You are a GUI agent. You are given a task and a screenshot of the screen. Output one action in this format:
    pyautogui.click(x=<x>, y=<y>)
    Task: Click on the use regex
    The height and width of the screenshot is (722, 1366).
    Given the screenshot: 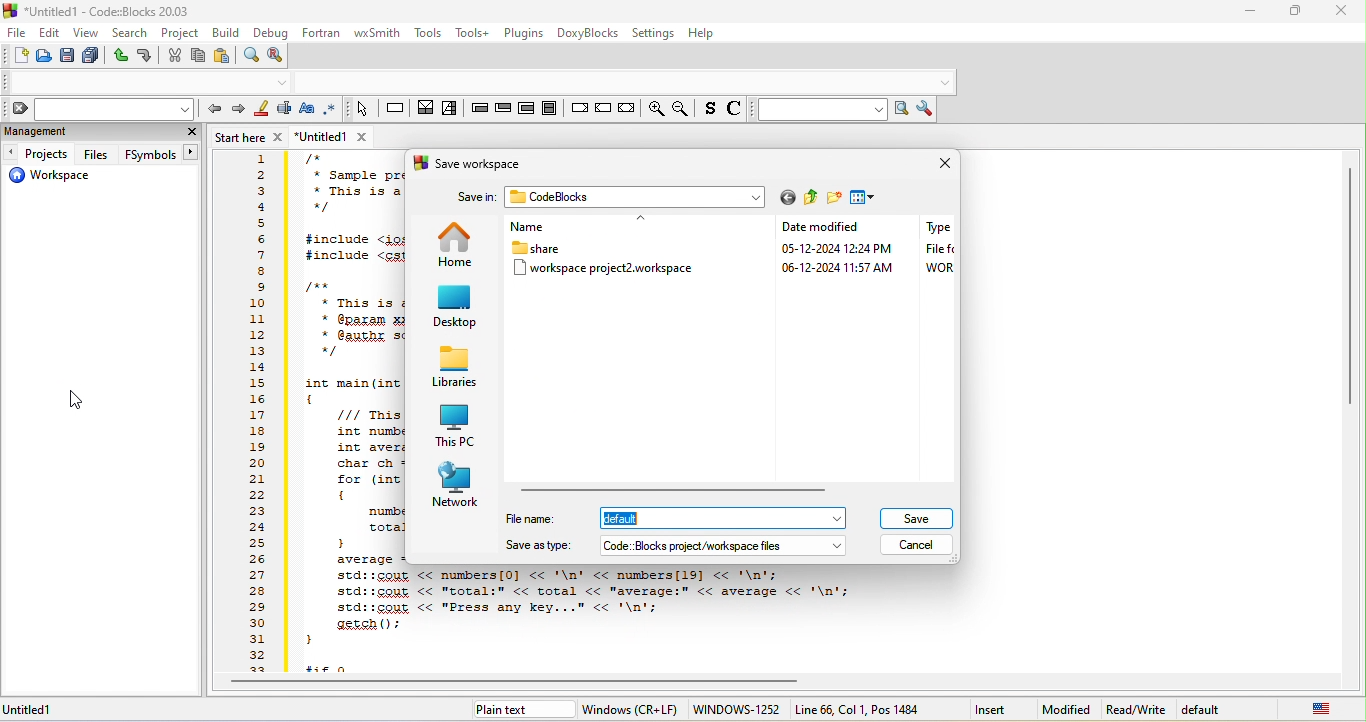 What is the action you would take?
    pyautogui.click(x=332, y=109)
    